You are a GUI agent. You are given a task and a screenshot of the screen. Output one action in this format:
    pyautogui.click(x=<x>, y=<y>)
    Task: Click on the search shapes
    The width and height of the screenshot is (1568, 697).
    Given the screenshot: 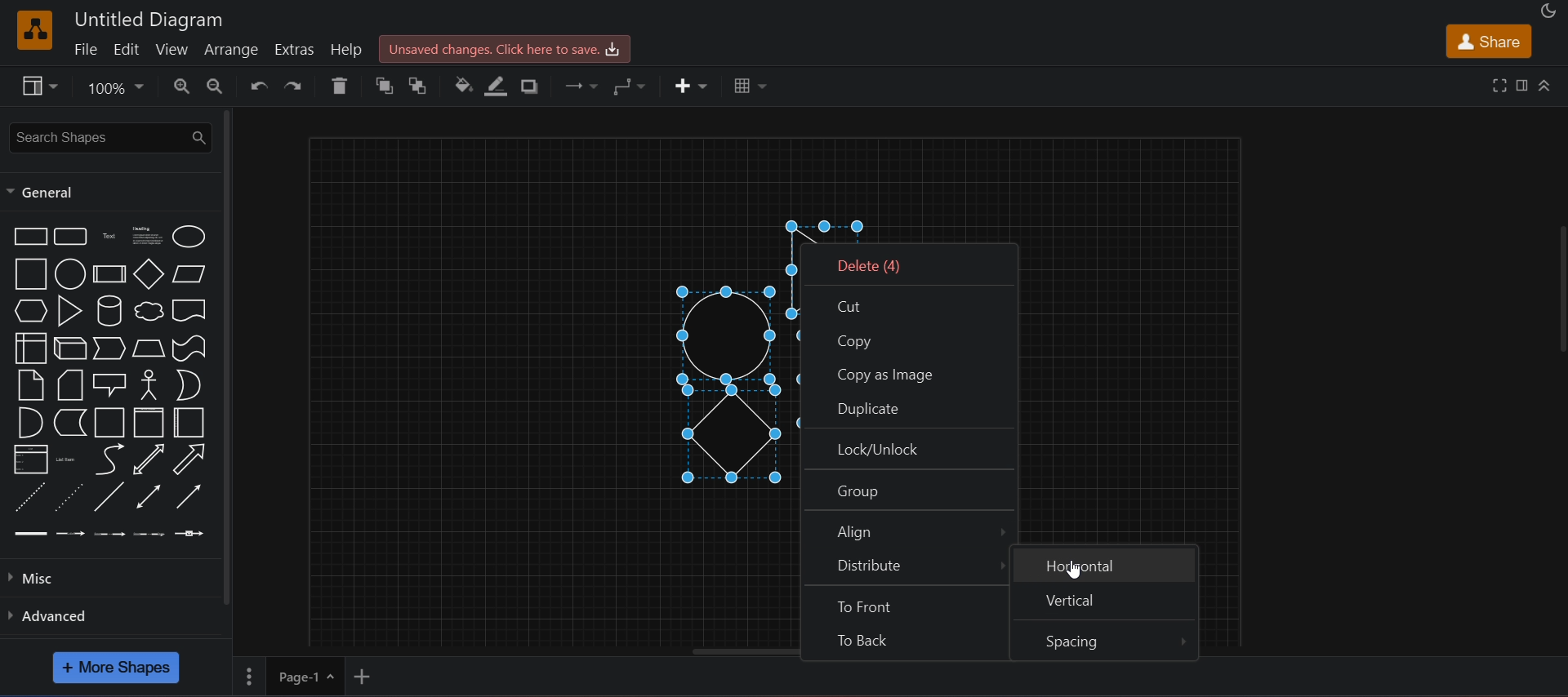 What is the action you would take?
    pyautogui.click(x=109, y=136)
    